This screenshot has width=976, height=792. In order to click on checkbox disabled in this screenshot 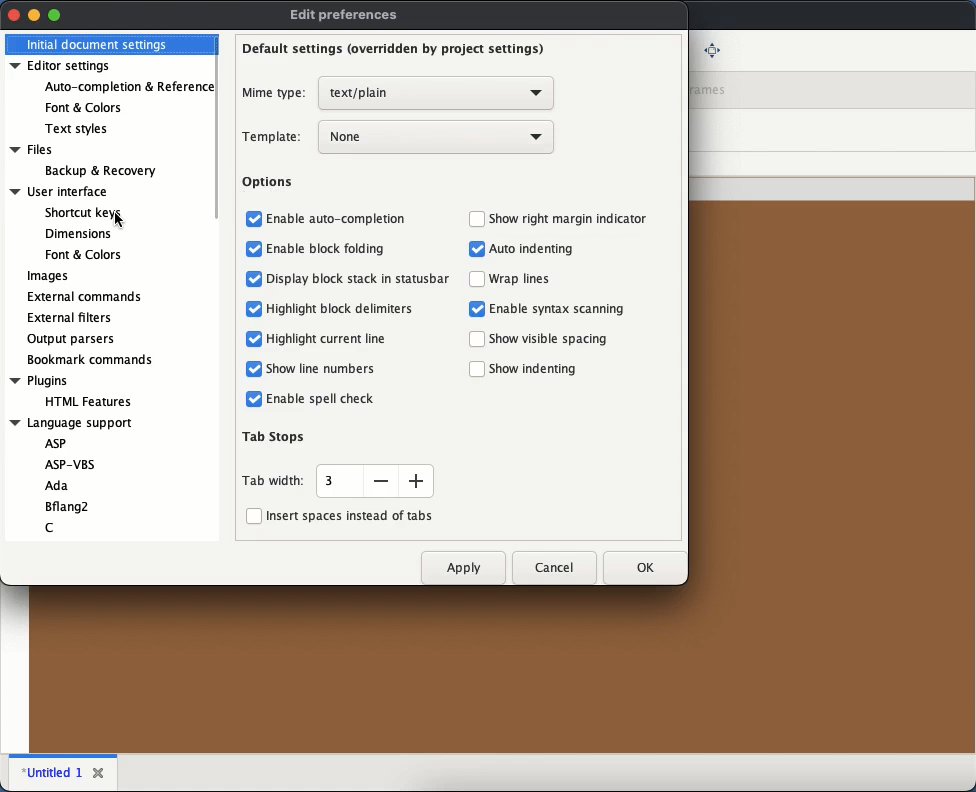, I will do `click(251, 515)`.